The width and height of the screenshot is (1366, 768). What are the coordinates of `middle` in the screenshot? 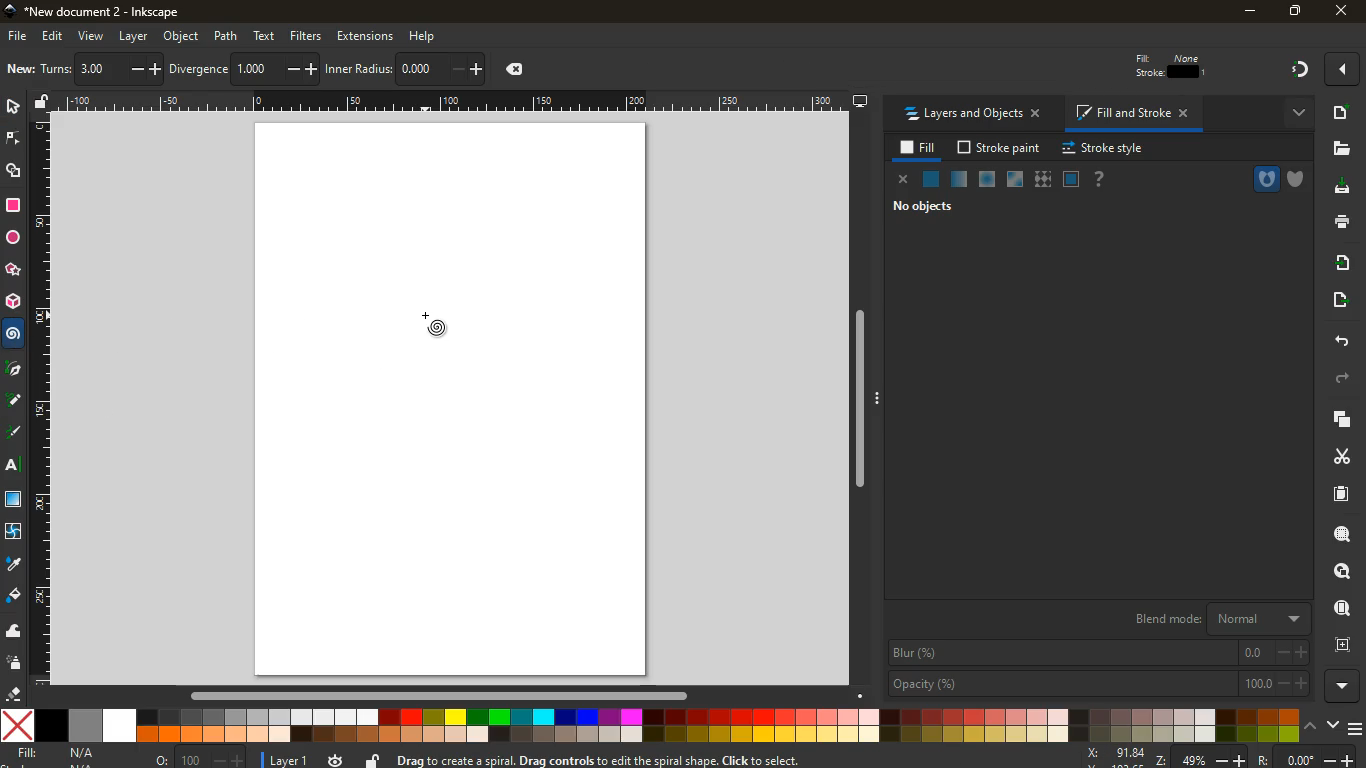 It's located at (309, 71).